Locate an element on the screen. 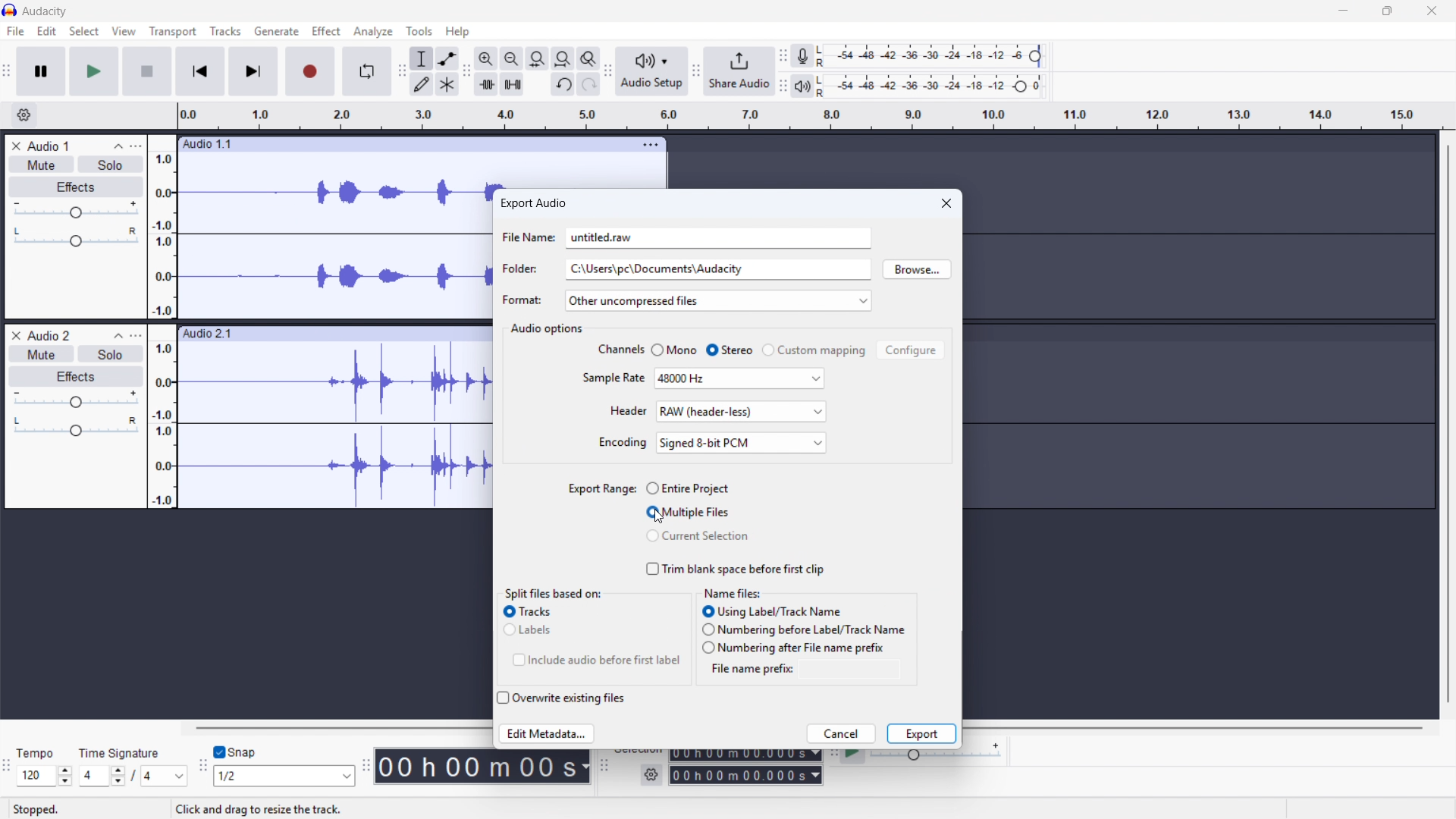 The image size is (1456, 819). Timestamp is located at coordinates (483, 769).